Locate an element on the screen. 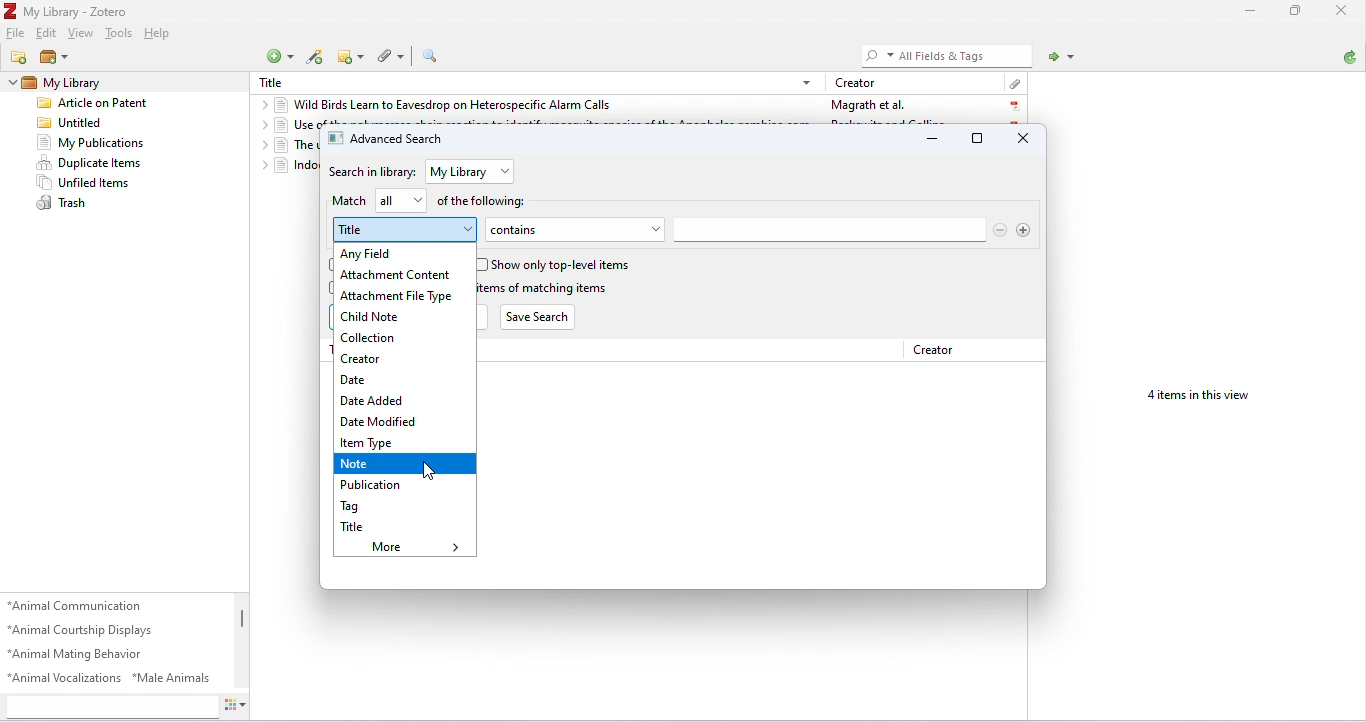 The image size is (1366, 722). include parent and child items of matching items is located at coordinates (545, 288).